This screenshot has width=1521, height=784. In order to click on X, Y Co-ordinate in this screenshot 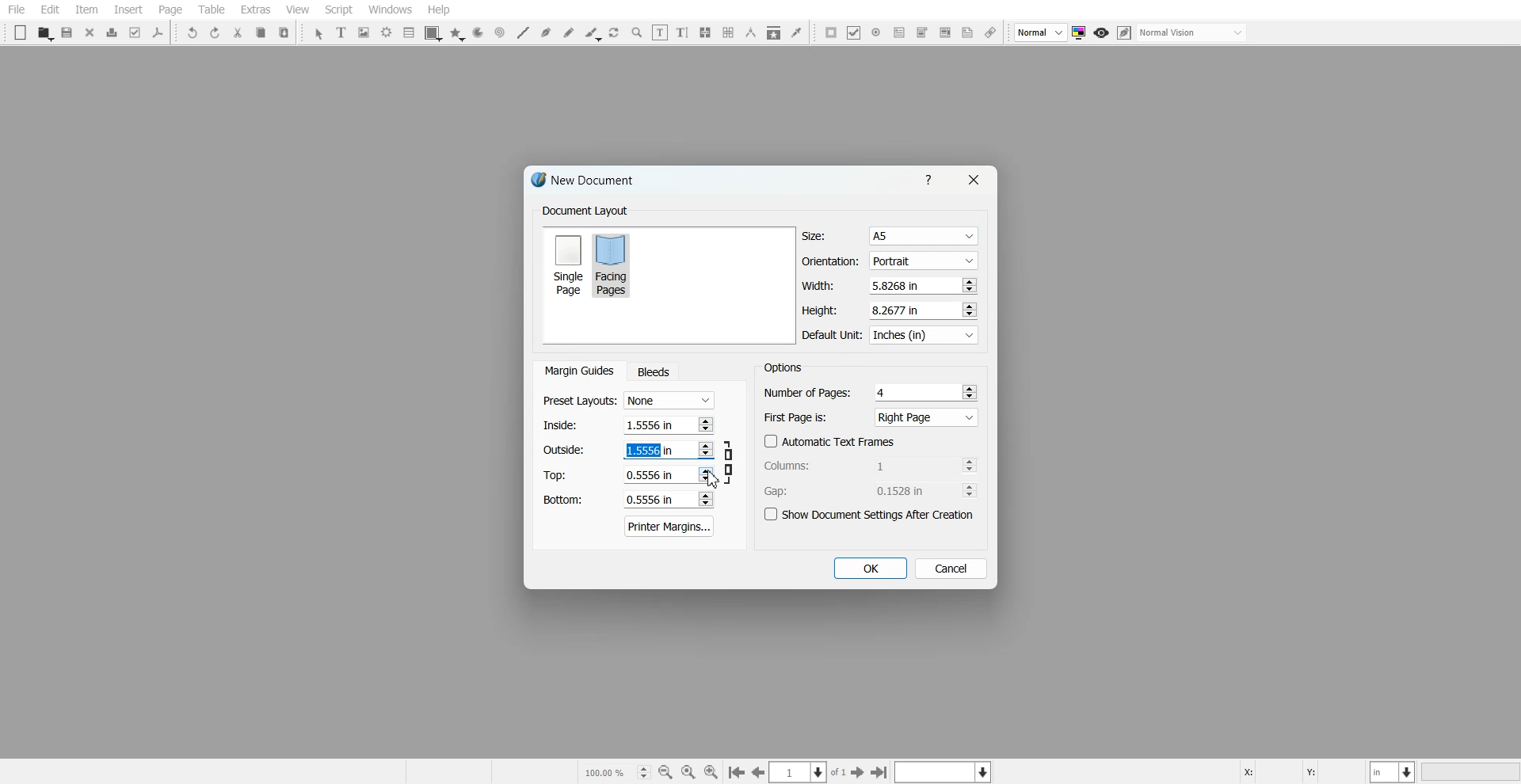, I will do `click(1302, 771)`.